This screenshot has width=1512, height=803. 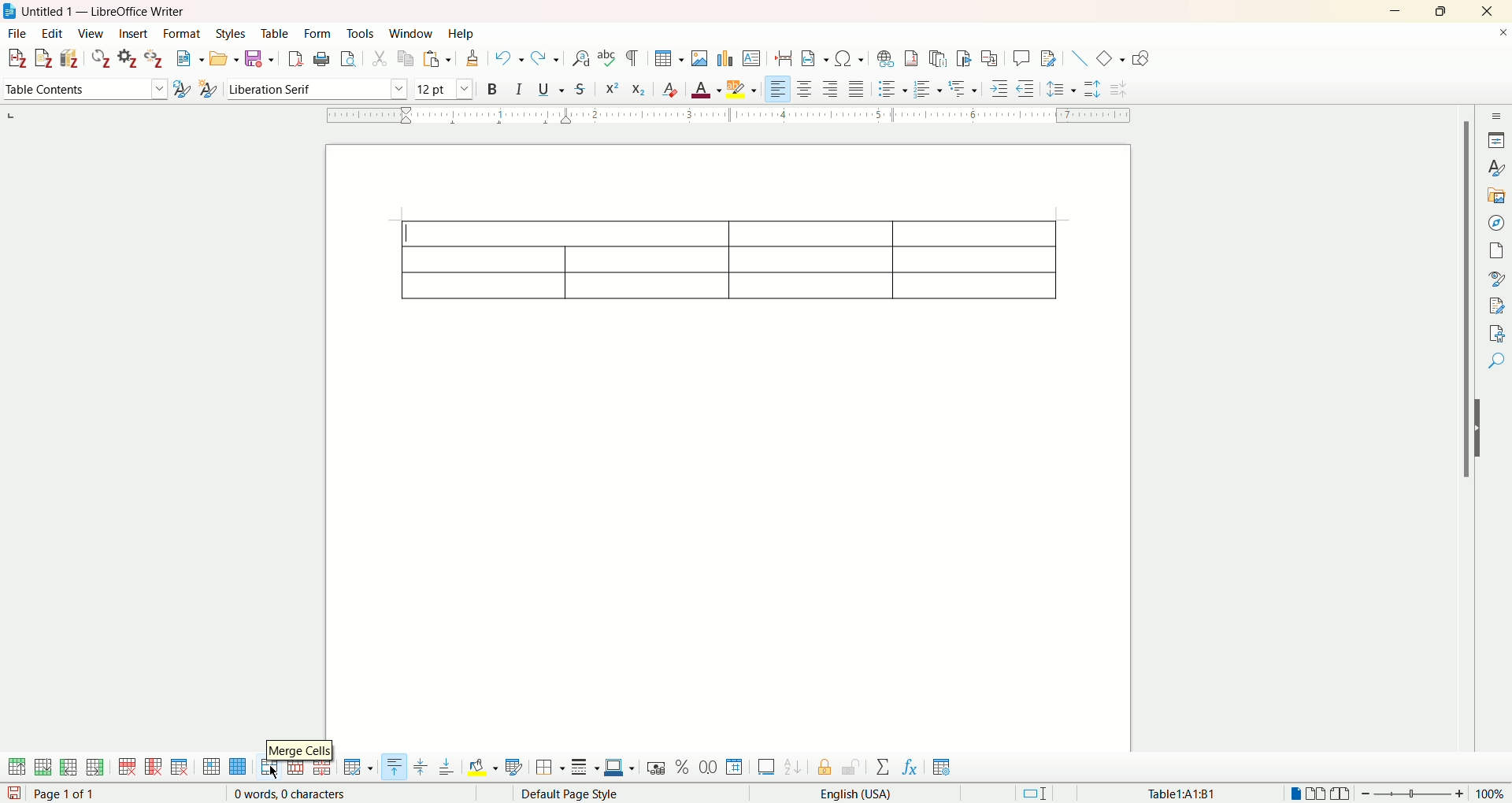 What do you see at coordinates (104, 9) in the screenshot?
I see `Untitled 1 — LibreOffice Writer` at bounding box center [104, 9].